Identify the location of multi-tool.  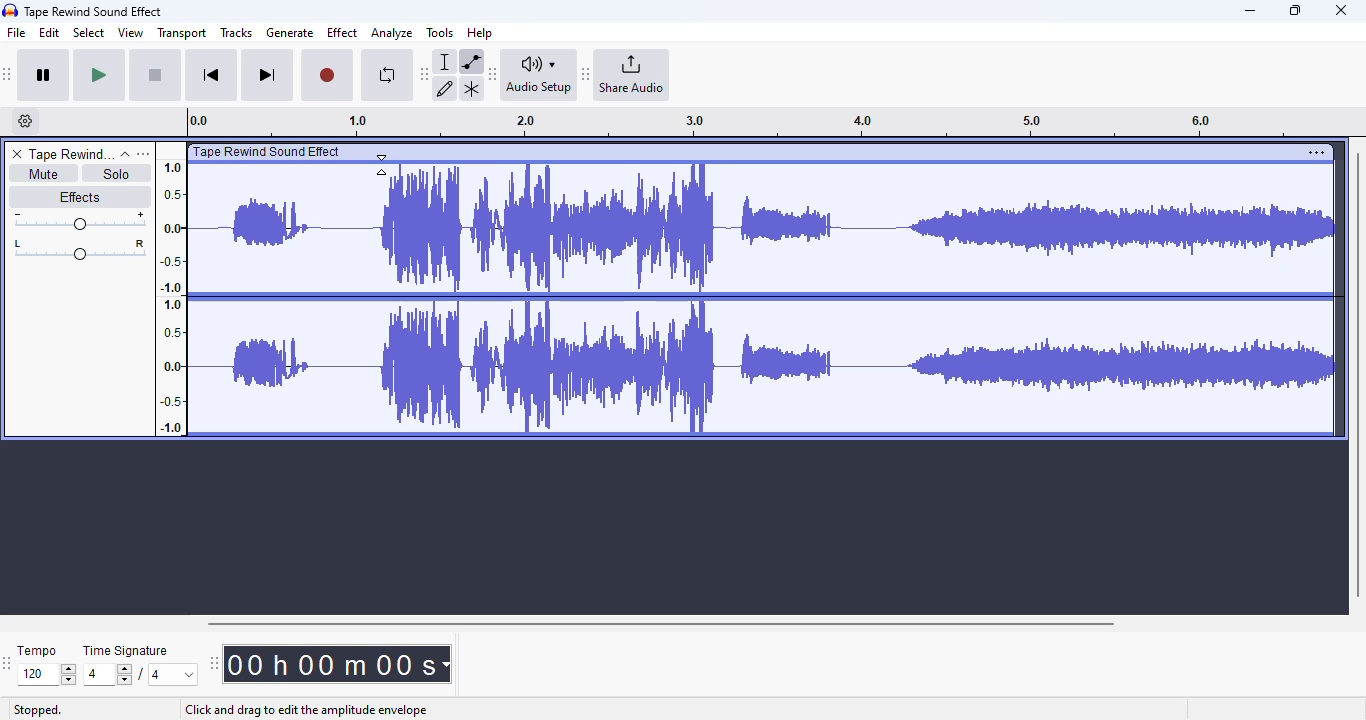
(471, 89).